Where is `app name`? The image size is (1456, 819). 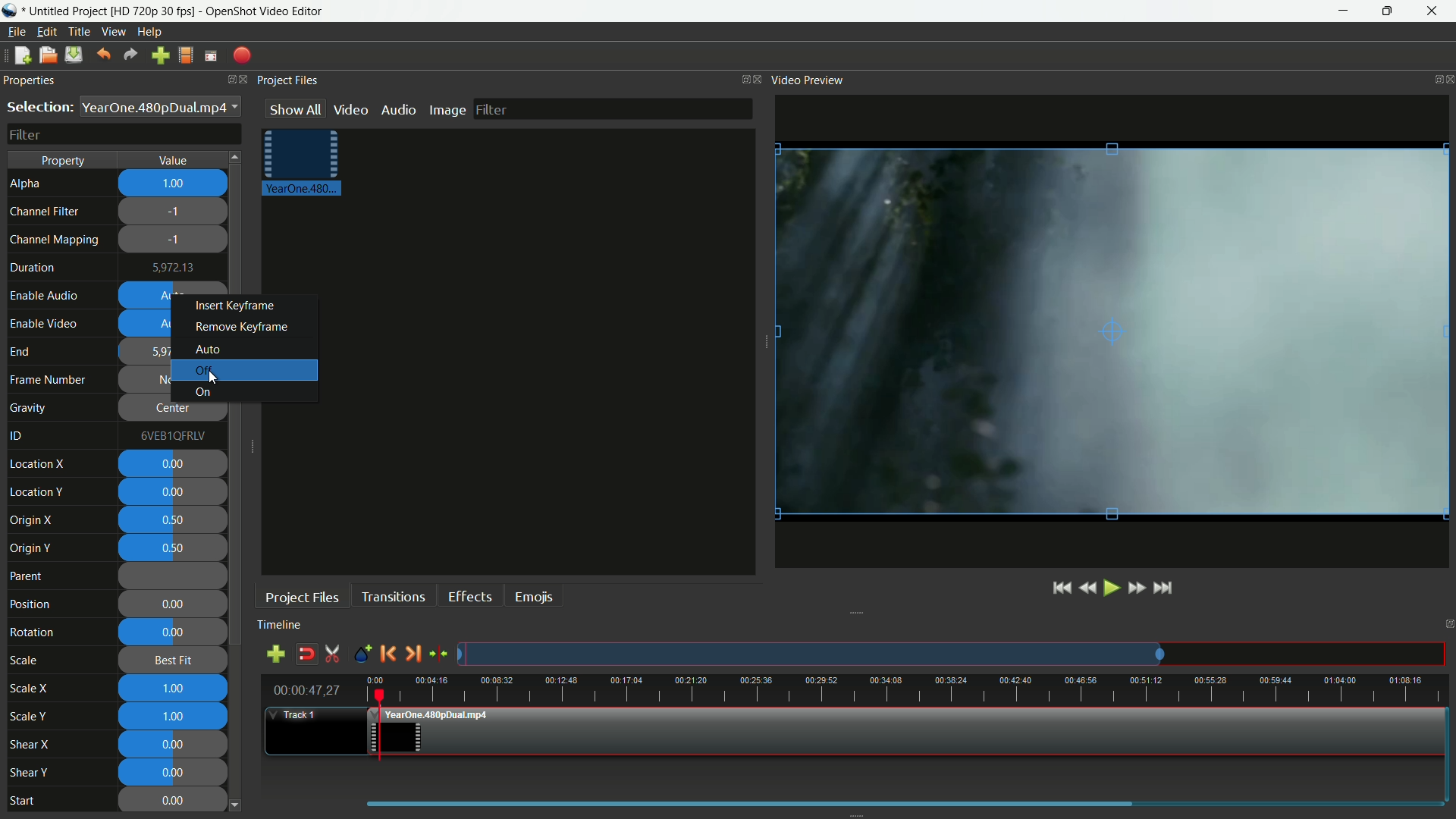 app name is located at coordinates (265, 11).